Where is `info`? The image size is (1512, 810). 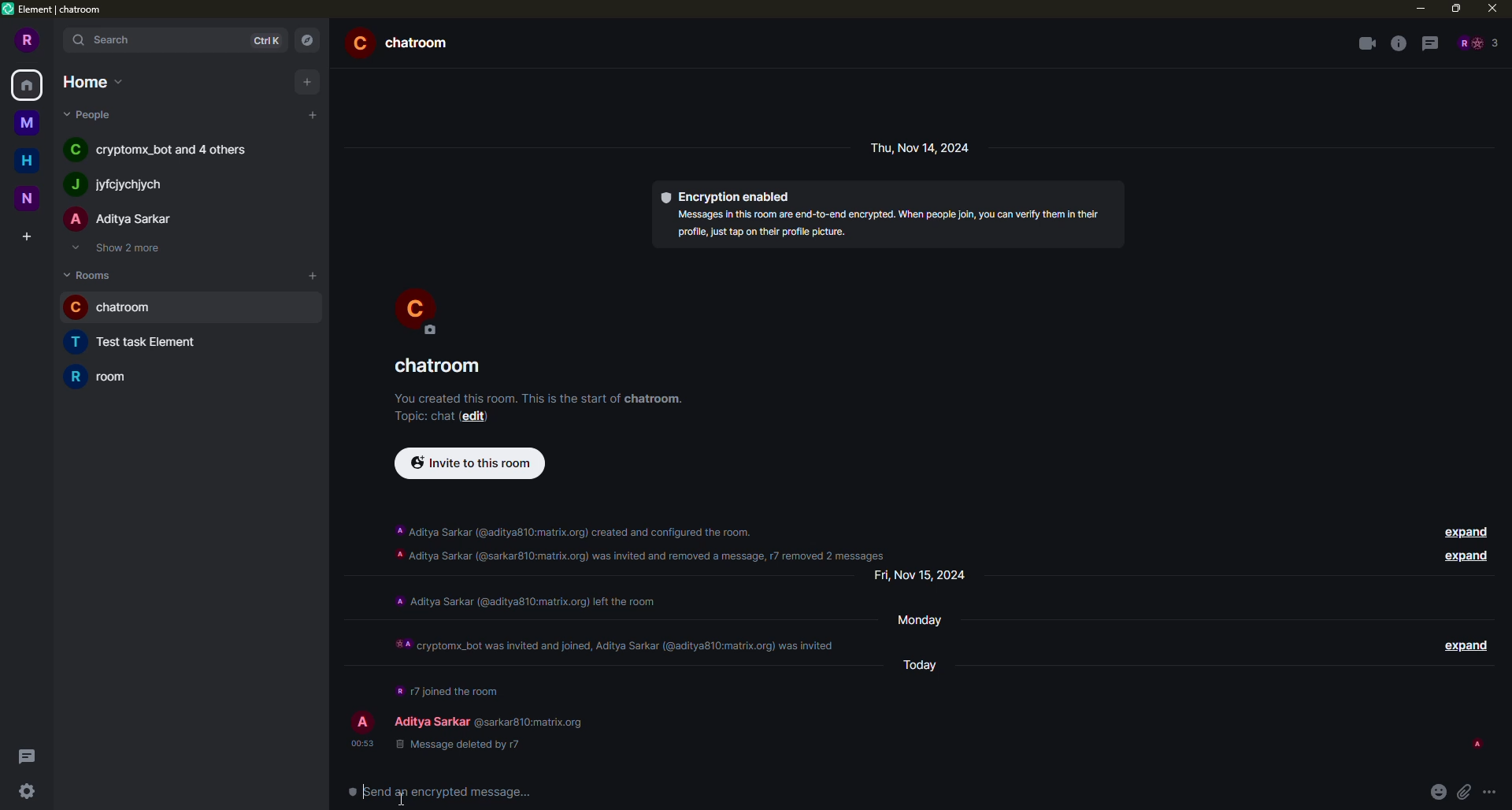
info is located at coordinates (524, 600).